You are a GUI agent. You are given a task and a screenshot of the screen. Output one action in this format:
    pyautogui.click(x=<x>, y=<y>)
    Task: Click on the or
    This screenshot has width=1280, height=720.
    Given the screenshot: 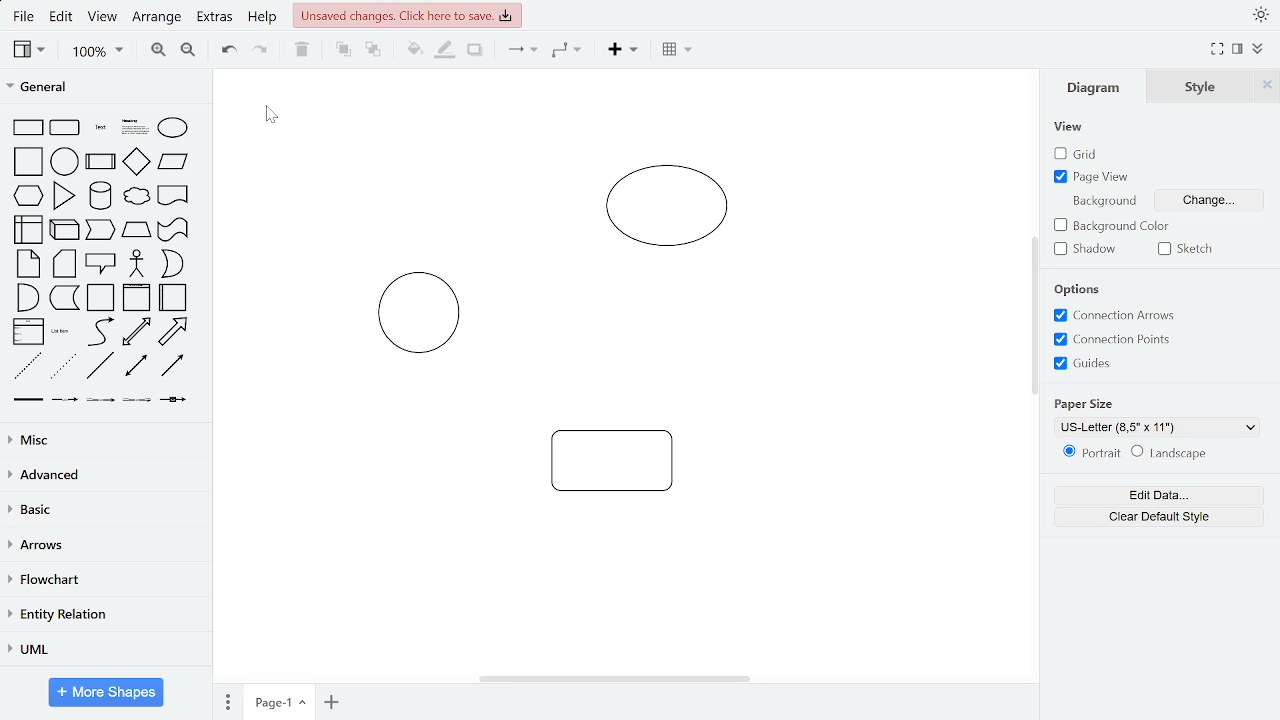 What is the action you would take?
    pyautogui.click(x=171, y=263)
    